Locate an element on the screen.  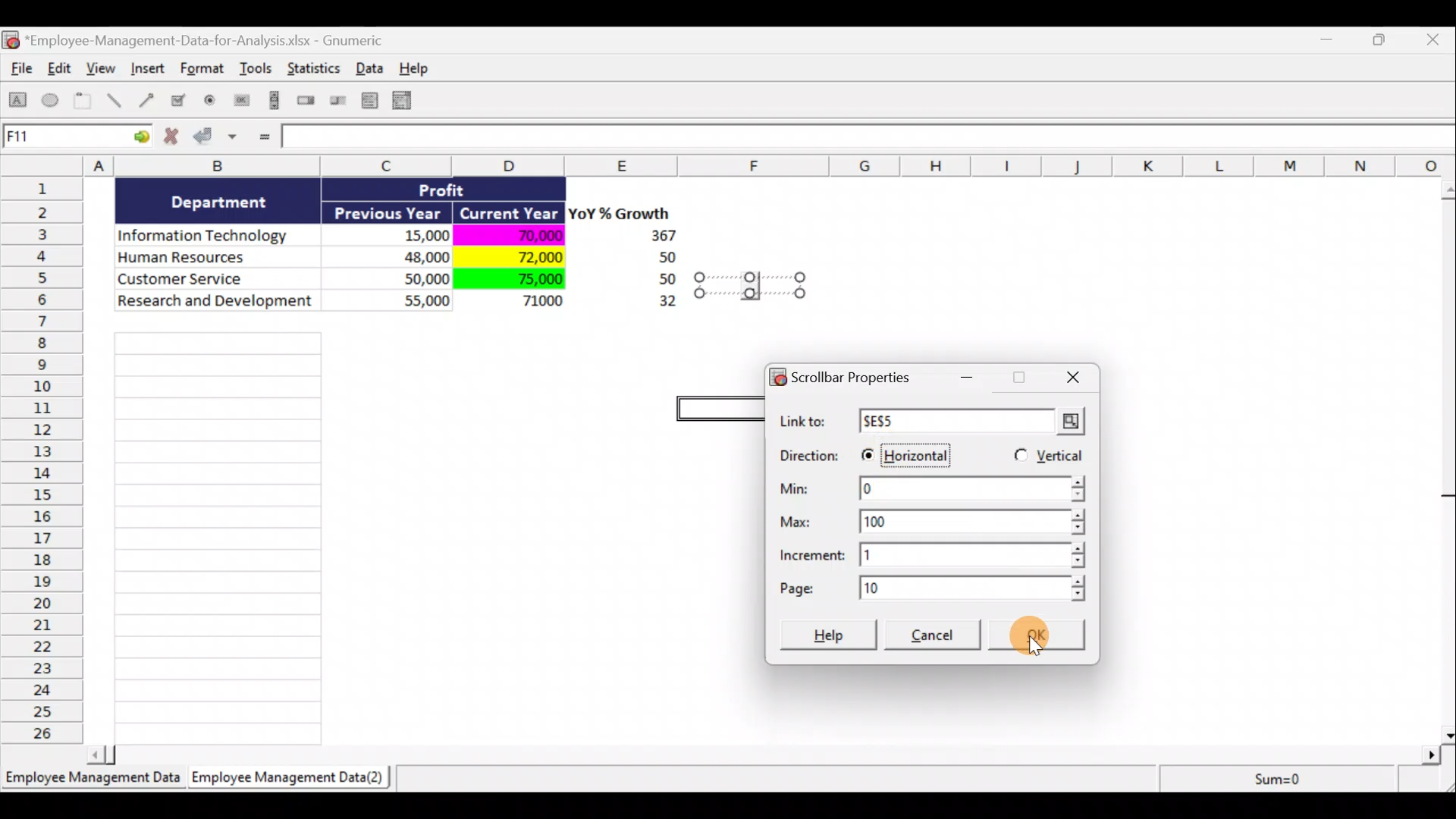
Create an ellipse object is located at coordinates (51, 101).